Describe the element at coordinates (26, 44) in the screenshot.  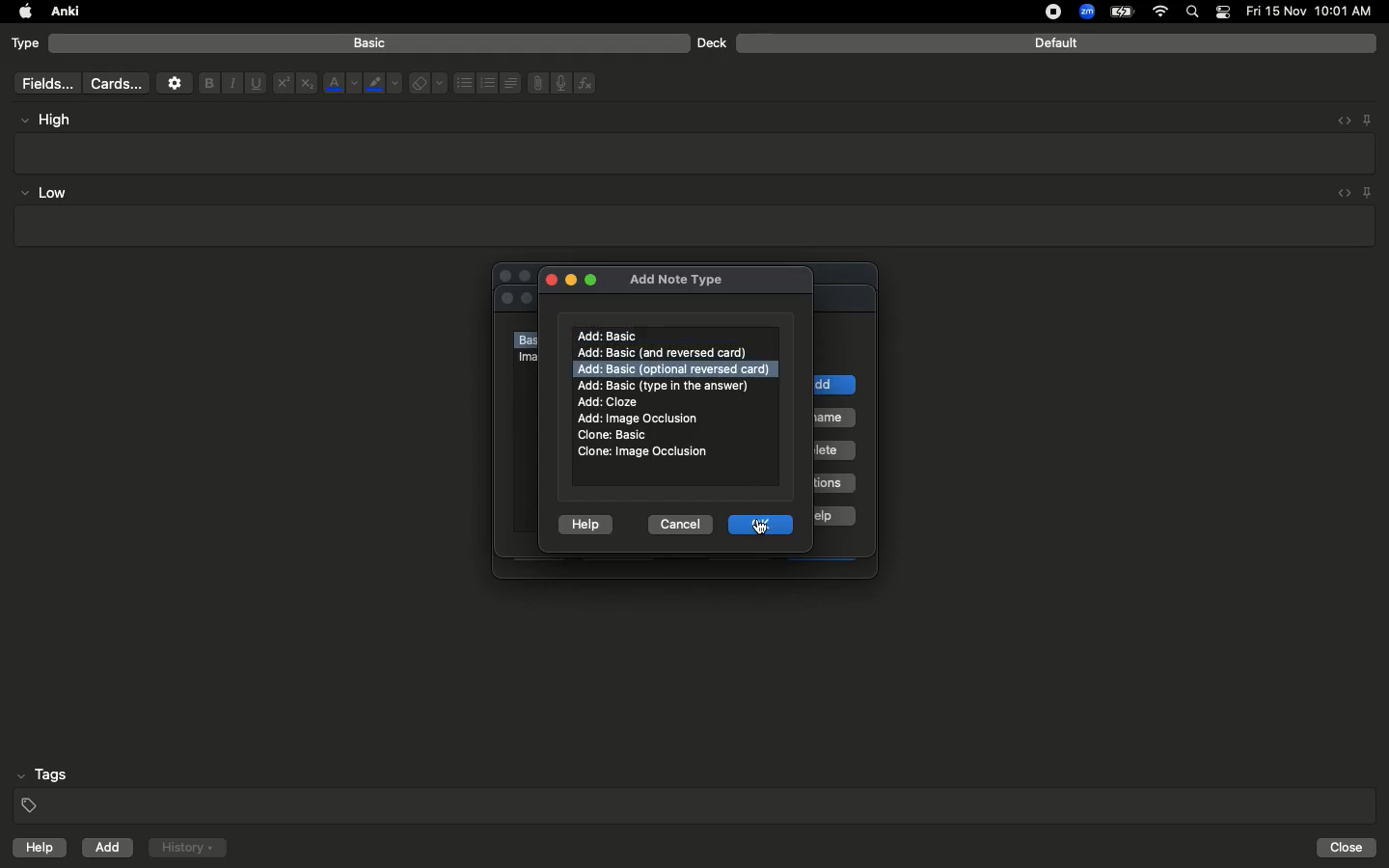
I see `Type` at that location.